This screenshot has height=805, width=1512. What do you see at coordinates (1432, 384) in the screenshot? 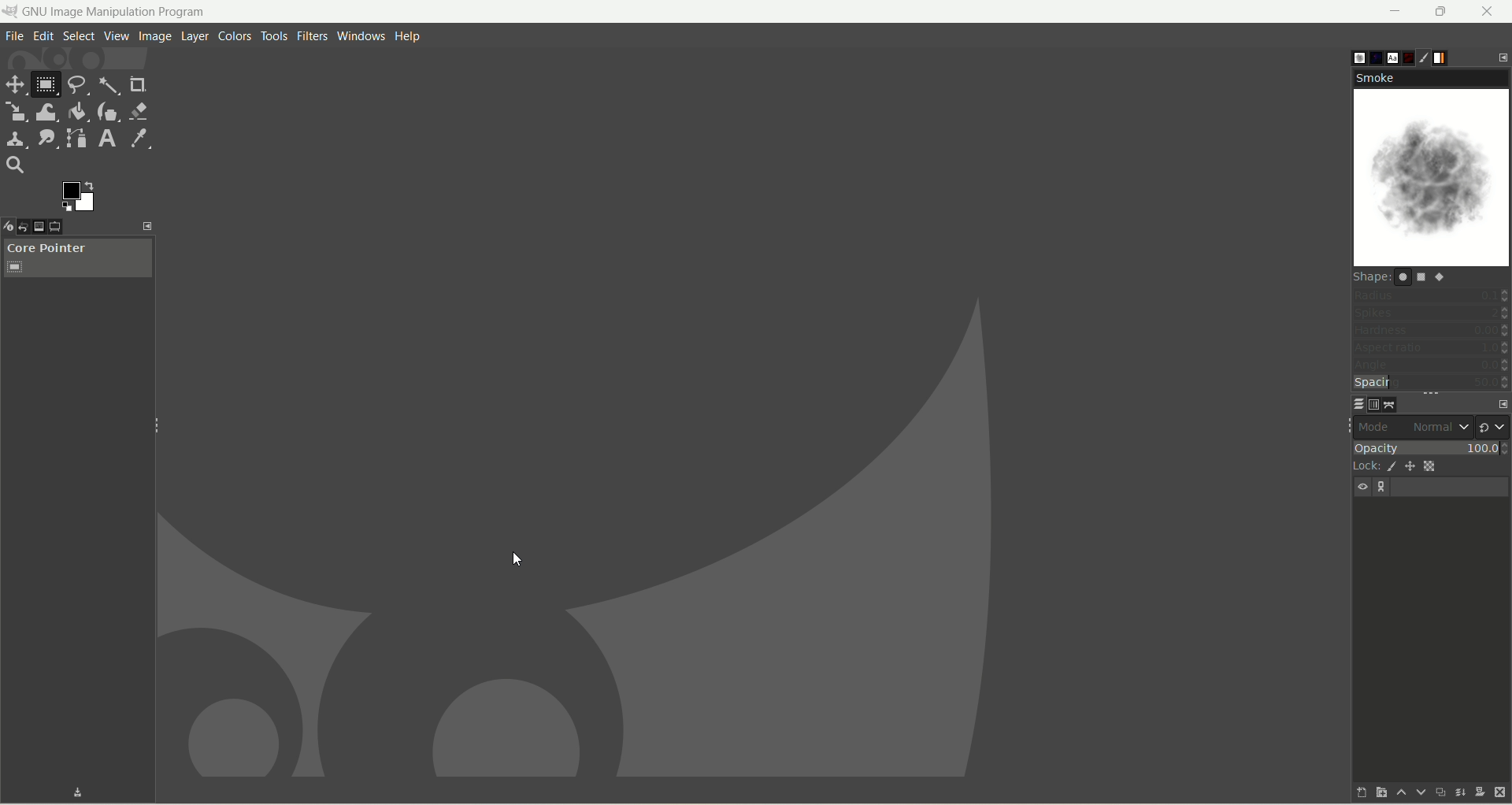
I see `spacing` at bounding box center [1432, 384].